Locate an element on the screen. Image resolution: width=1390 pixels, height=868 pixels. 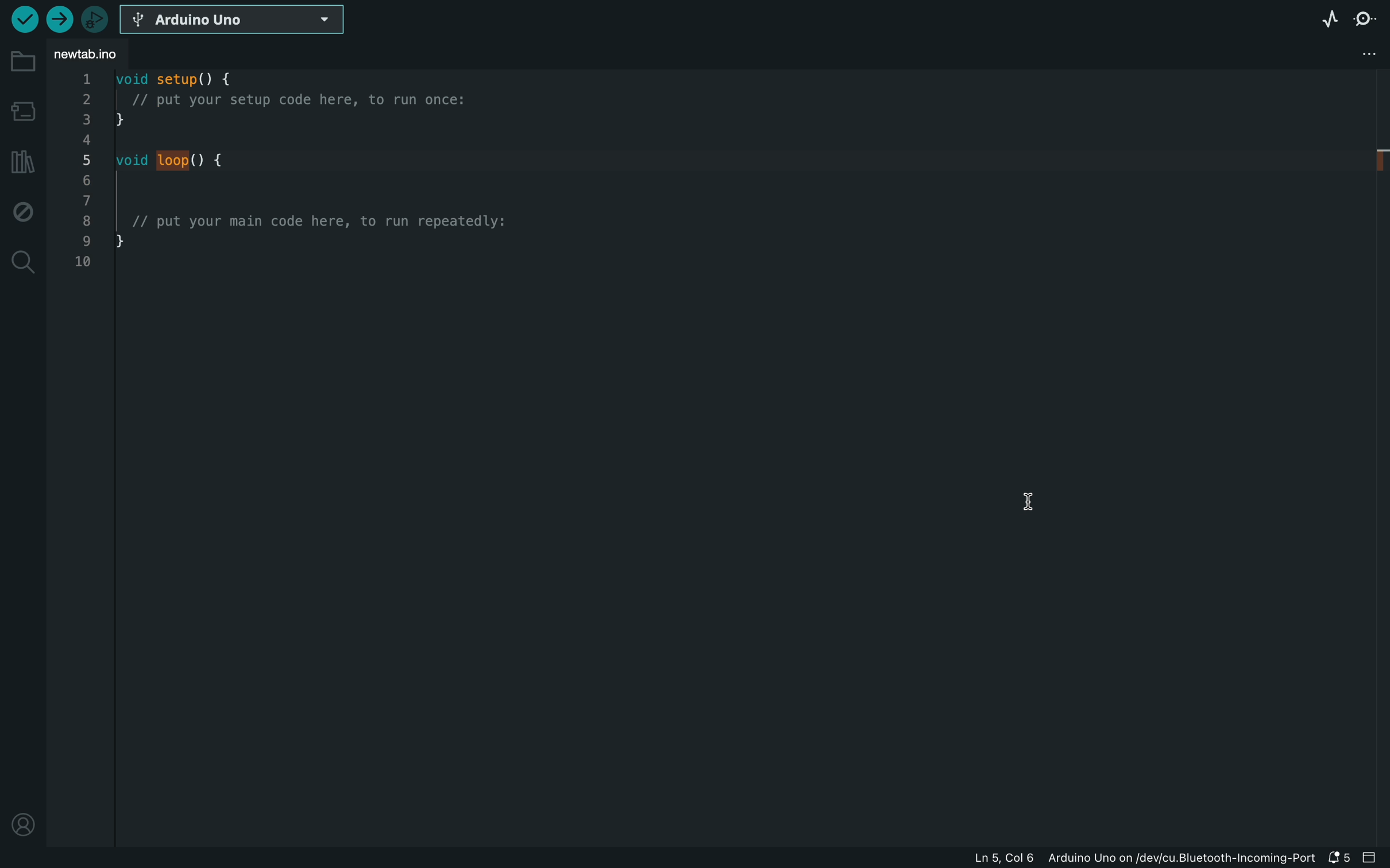
file tab is located at coordinates (98, 55).